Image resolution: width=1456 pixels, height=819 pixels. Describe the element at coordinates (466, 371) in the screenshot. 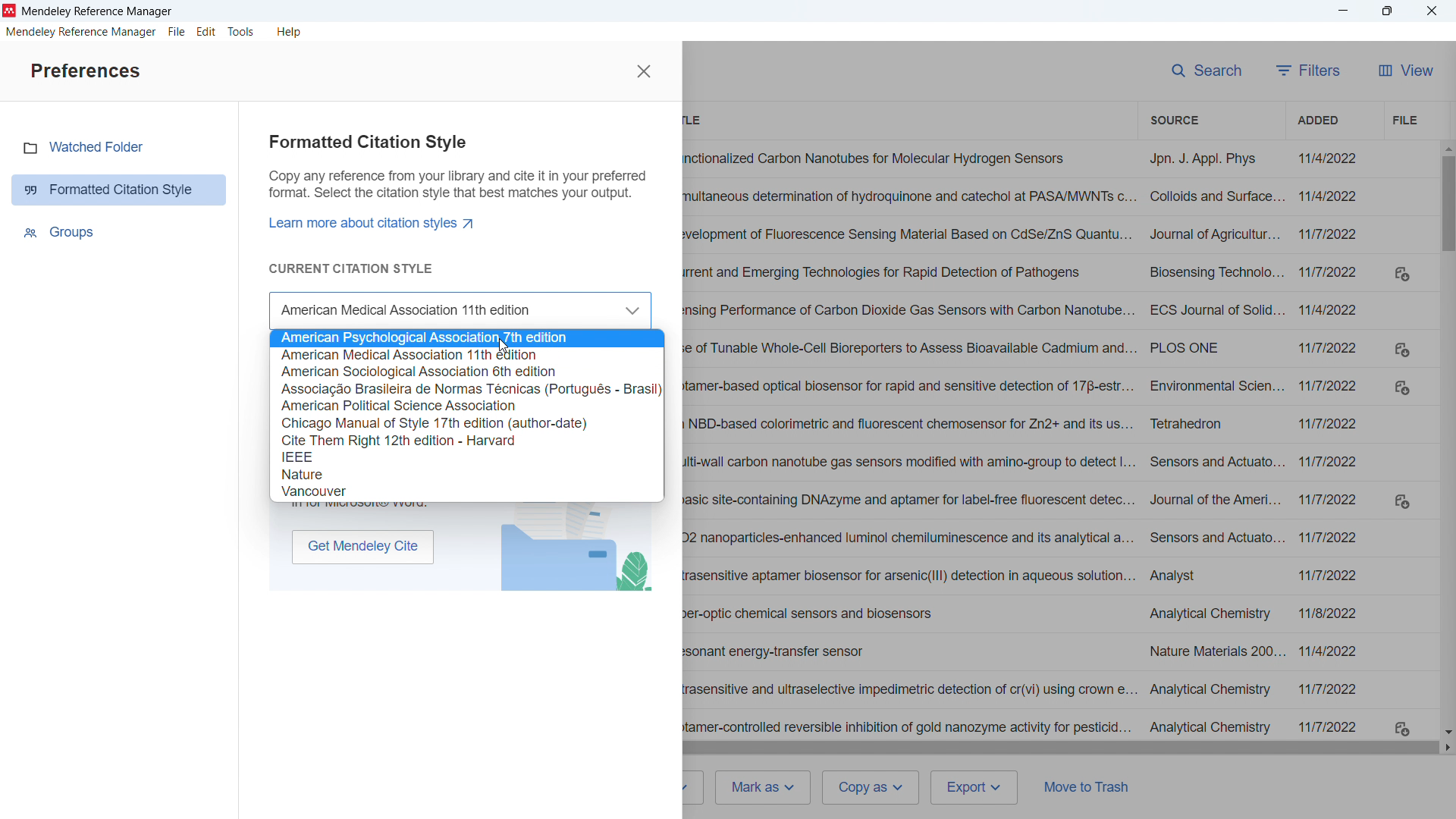

I see `American sociological association 6th edition` at that location.